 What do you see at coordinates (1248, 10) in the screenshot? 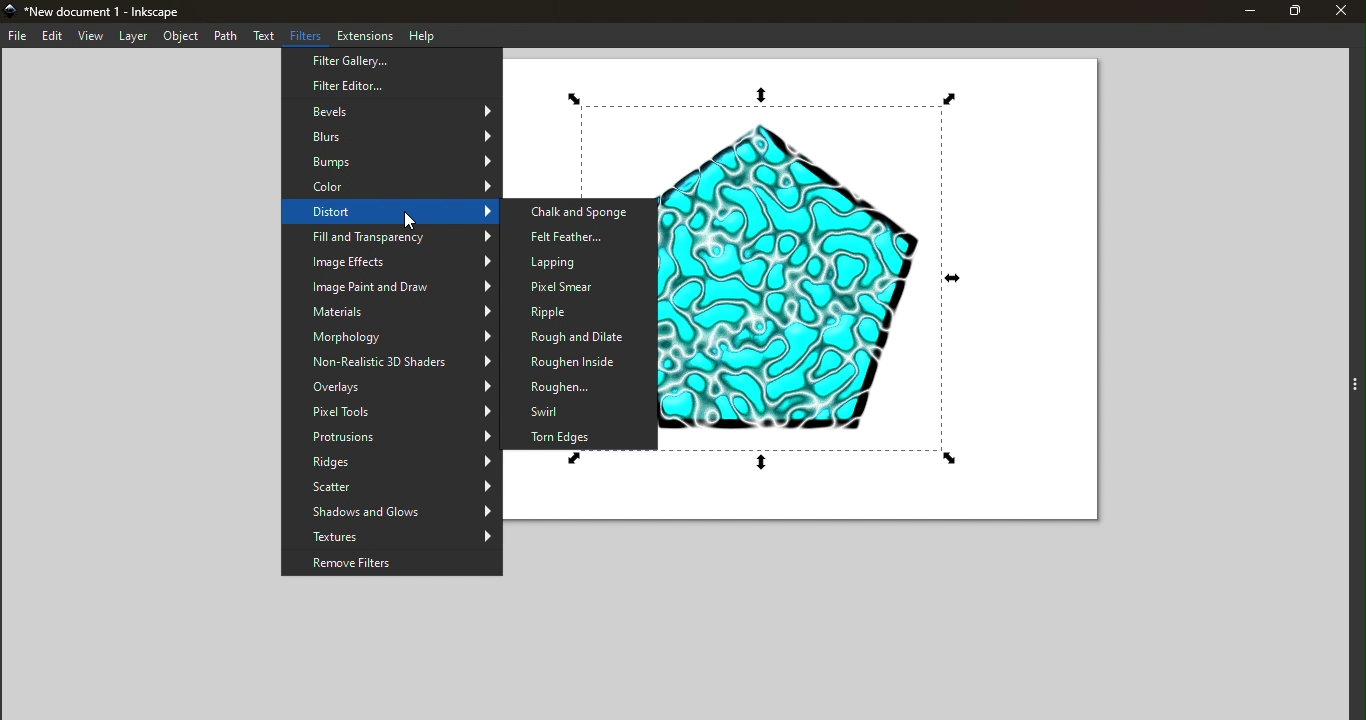
I see `Minimize` at bounding box center [1248, 10].